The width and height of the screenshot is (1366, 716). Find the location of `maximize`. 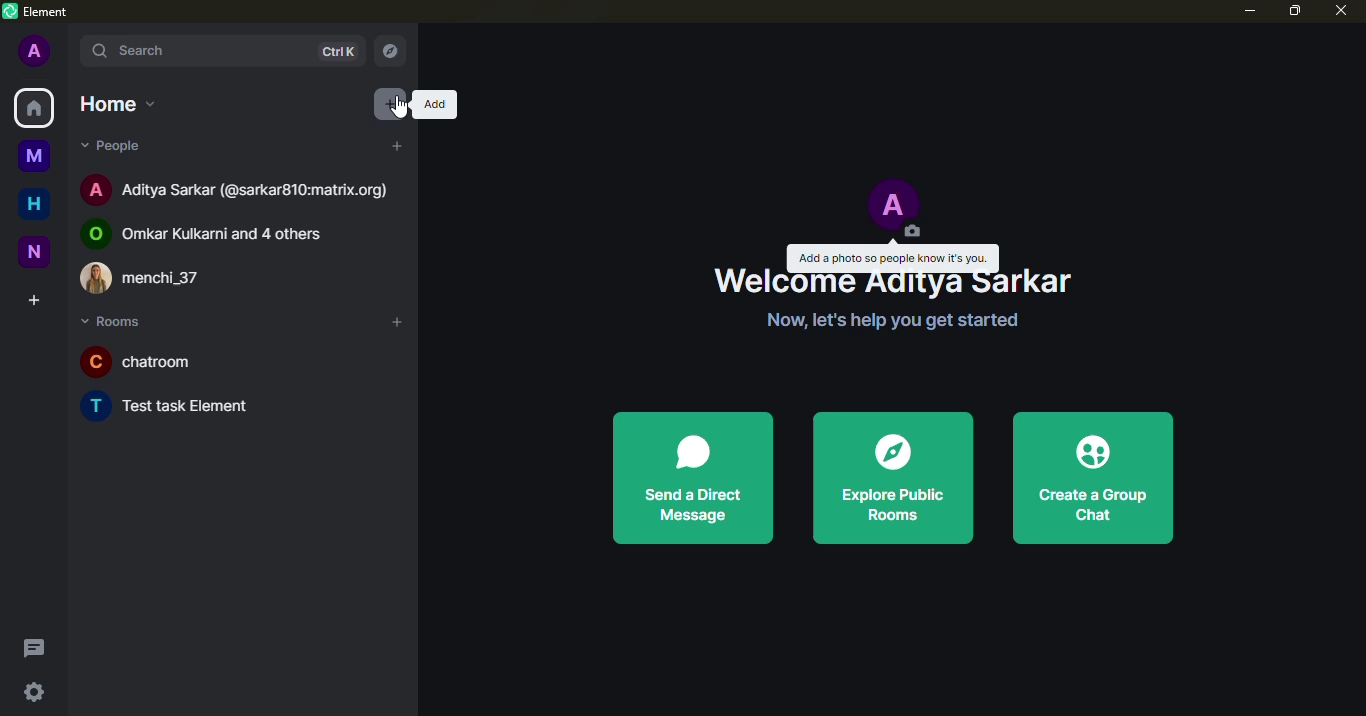

maximize is located at coordinates (1294, 12).